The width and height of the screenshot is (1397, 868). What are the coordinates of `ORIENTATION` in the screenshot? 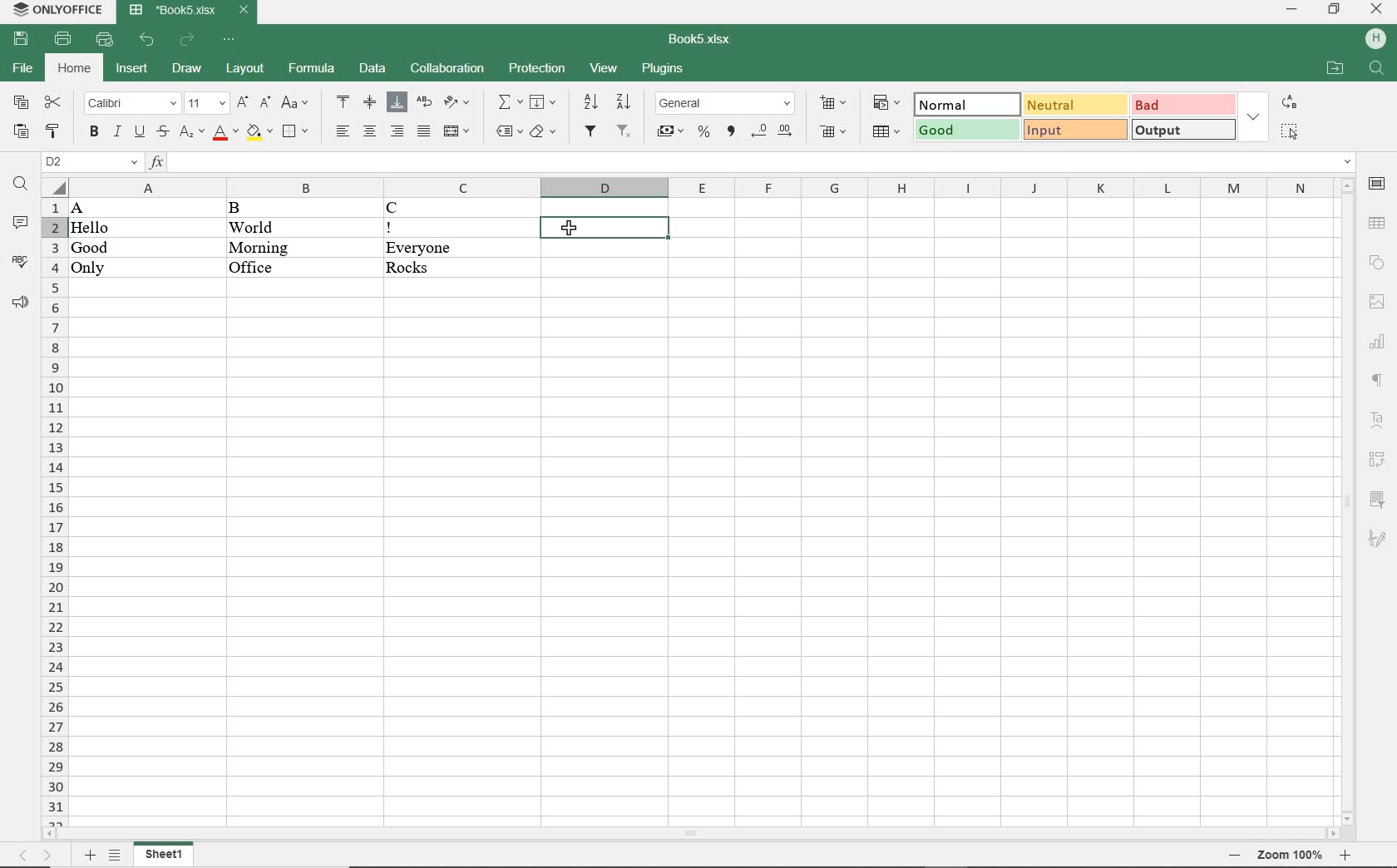 It's located at (456, 103).